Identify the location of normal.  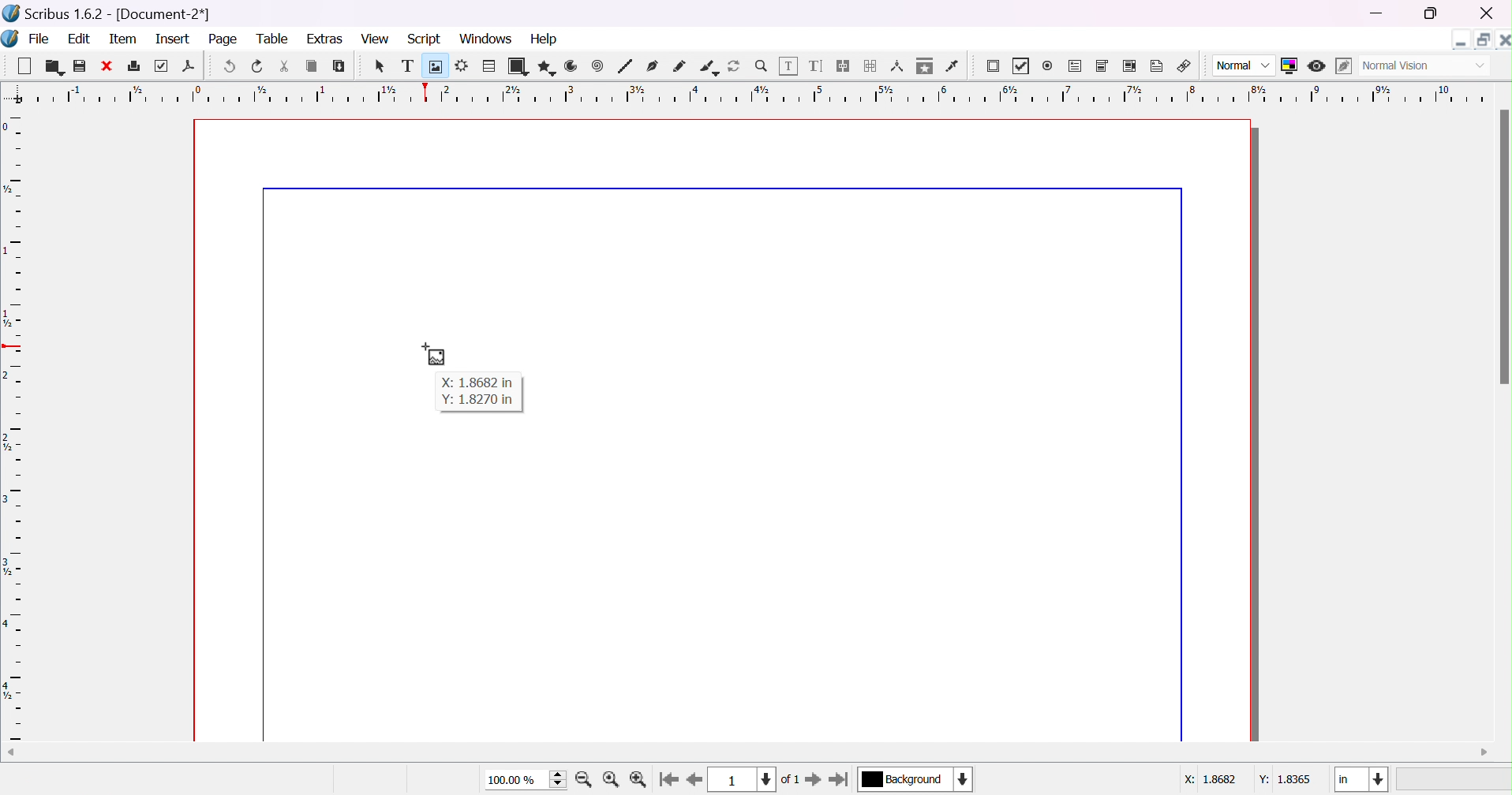
(1244, 66).